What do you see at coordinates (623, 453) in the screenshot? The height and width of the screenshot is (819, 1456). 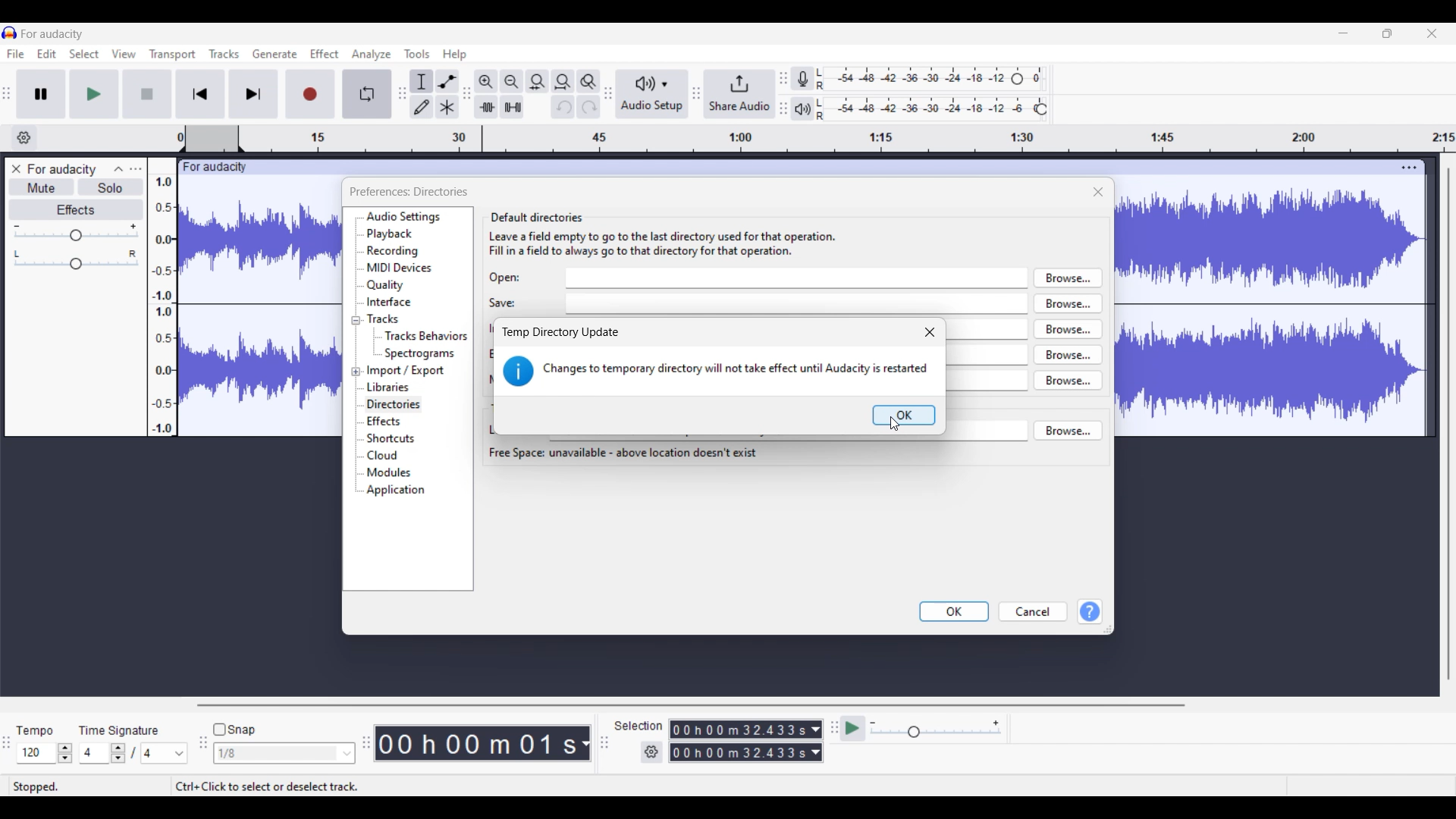 I see `free space unavailable - above location doesn't exist` at bounding box center [623, 453].